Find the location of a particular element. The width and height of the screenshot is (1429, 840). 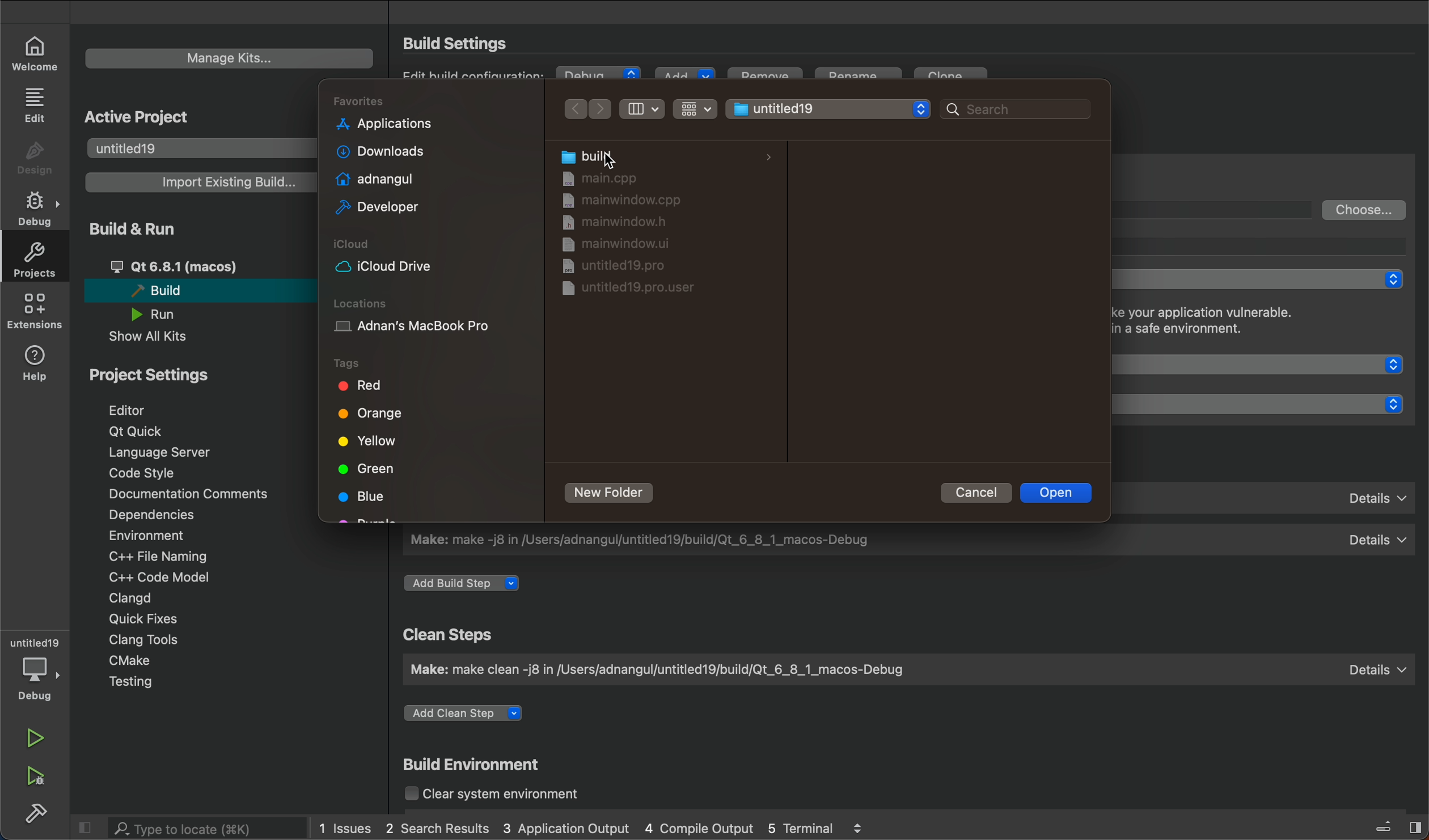

clang tools is located at coordinates (141, 639).